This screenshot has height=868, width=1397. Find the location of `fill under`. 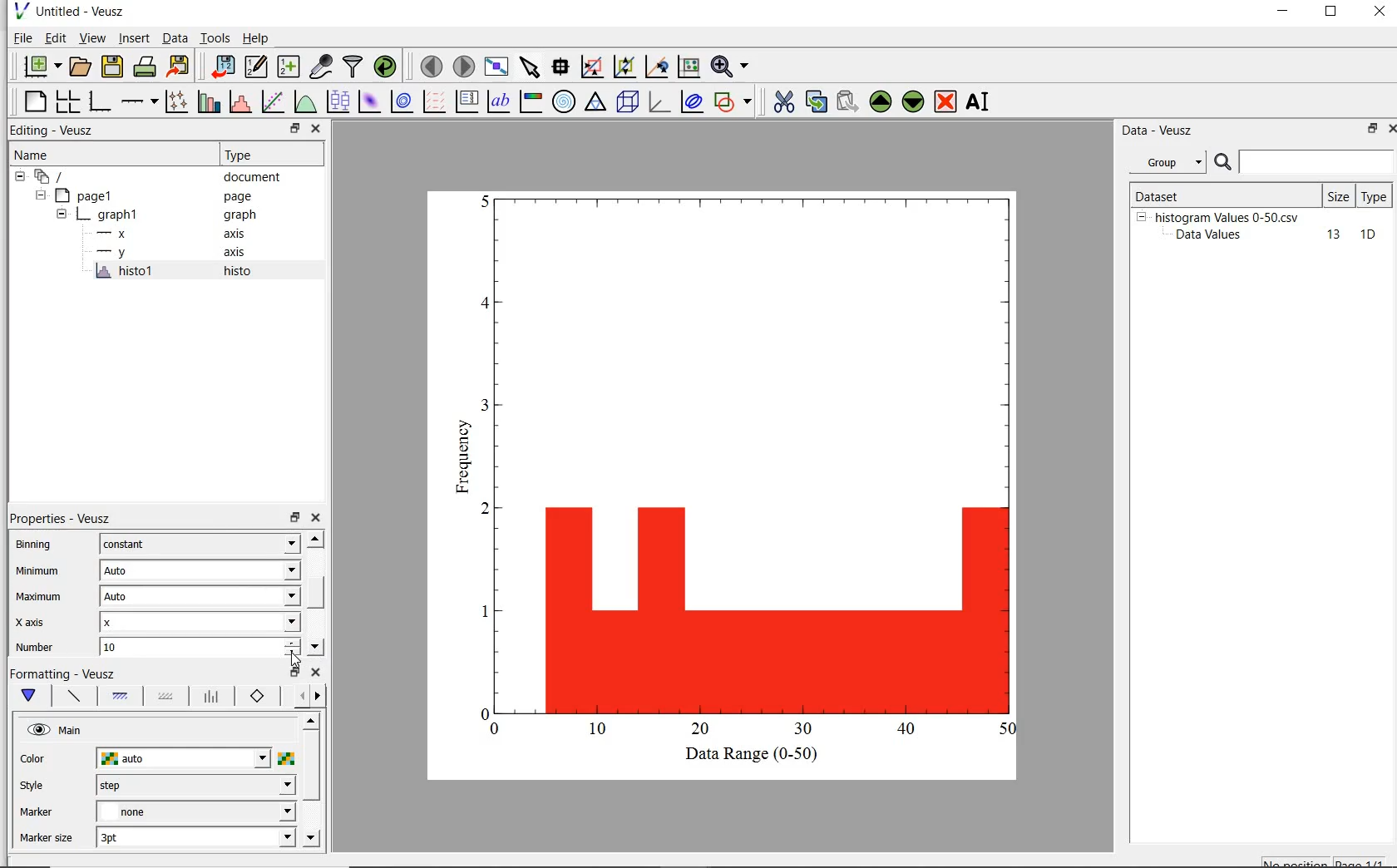

fill under is located at coordinates (121, 696).